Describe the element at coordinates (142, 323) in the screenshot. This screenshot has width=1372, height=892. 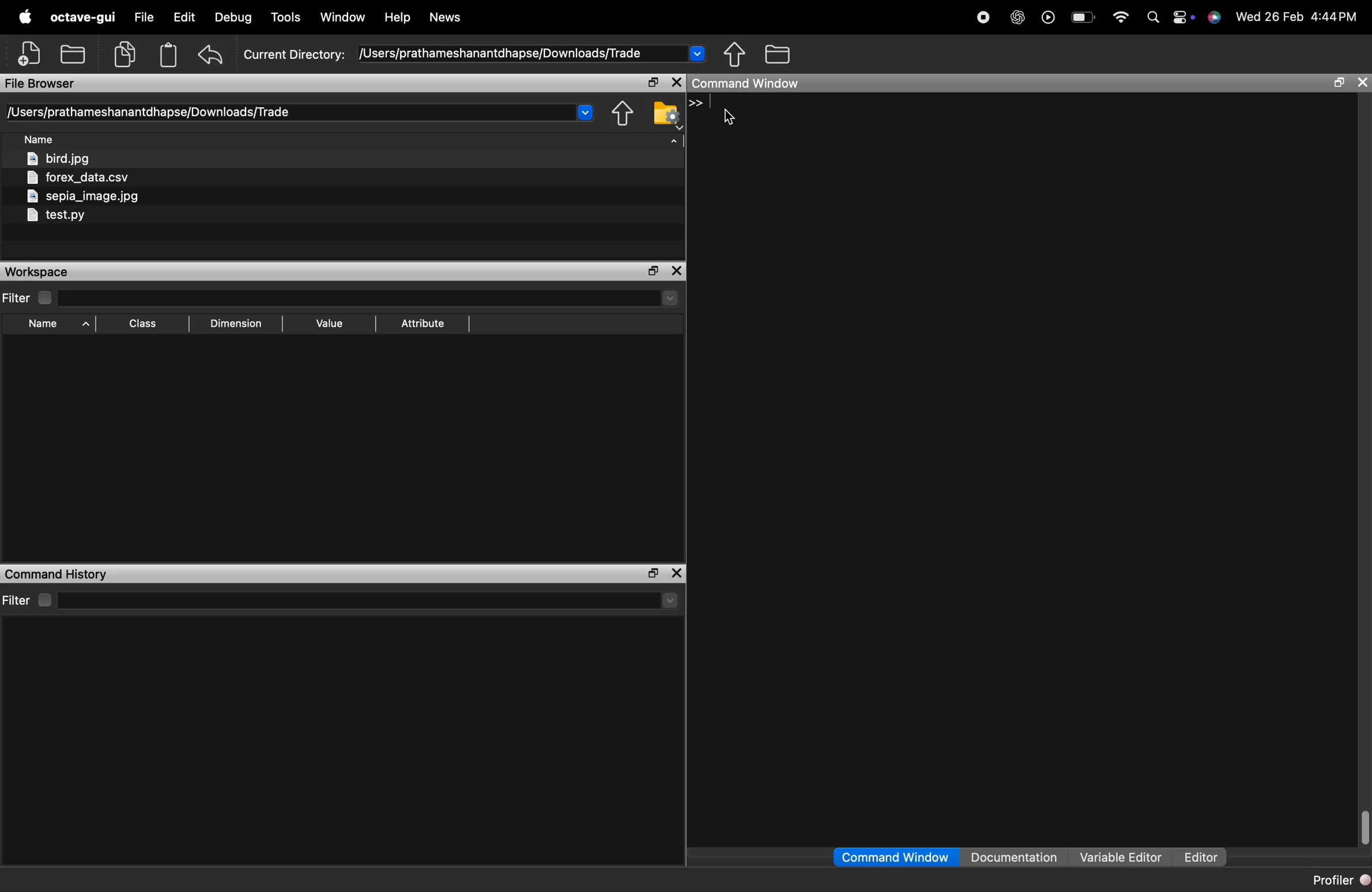
I see `Class` at that location.